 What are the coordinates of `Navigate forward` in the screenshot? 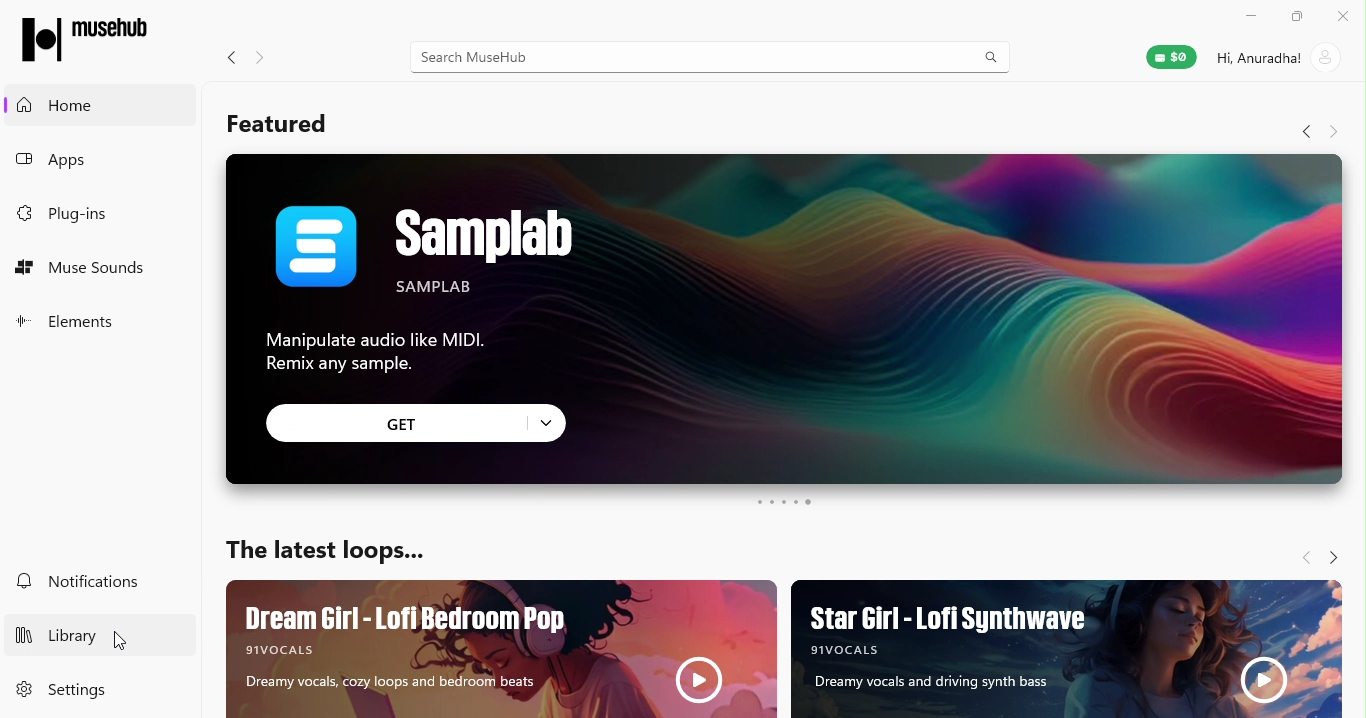 It's located at (1339, 554).